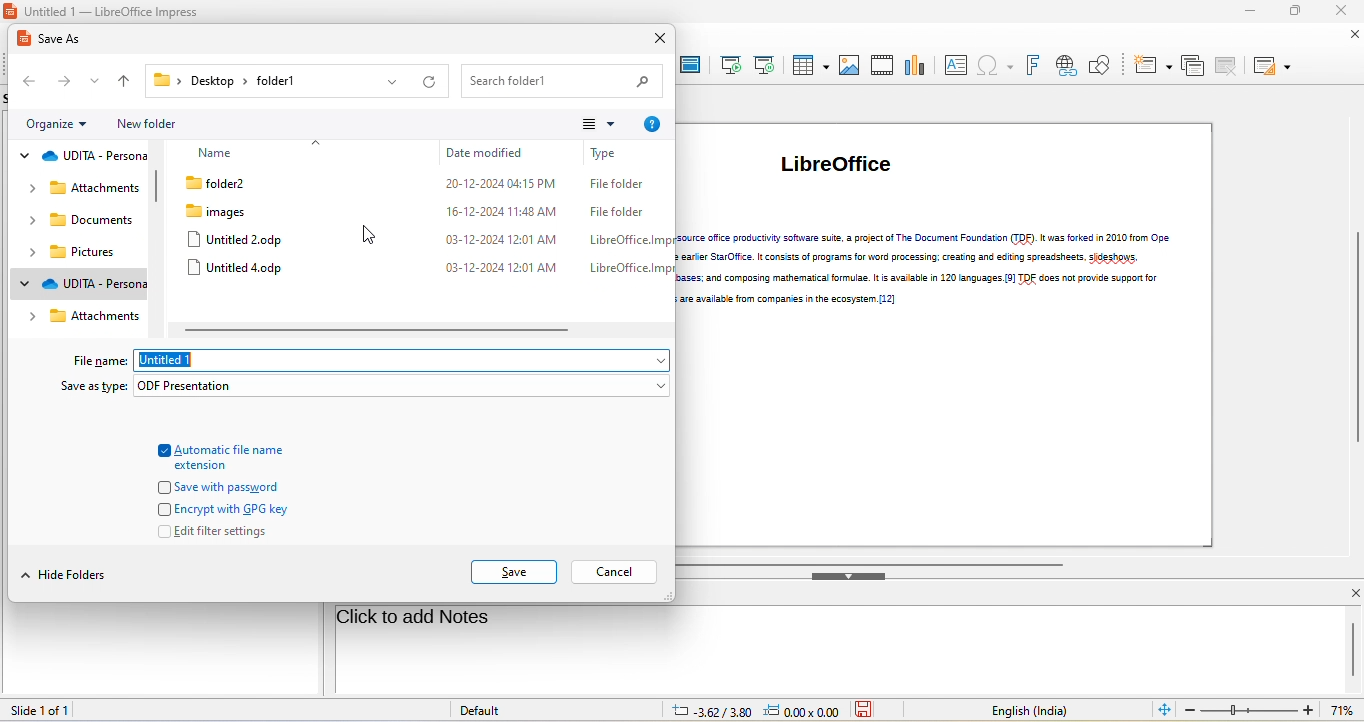 This screenshot has width=1364, height=722. Describe the element at coordinates (1028, 709) in the screenshot. I see `text language` at that location.